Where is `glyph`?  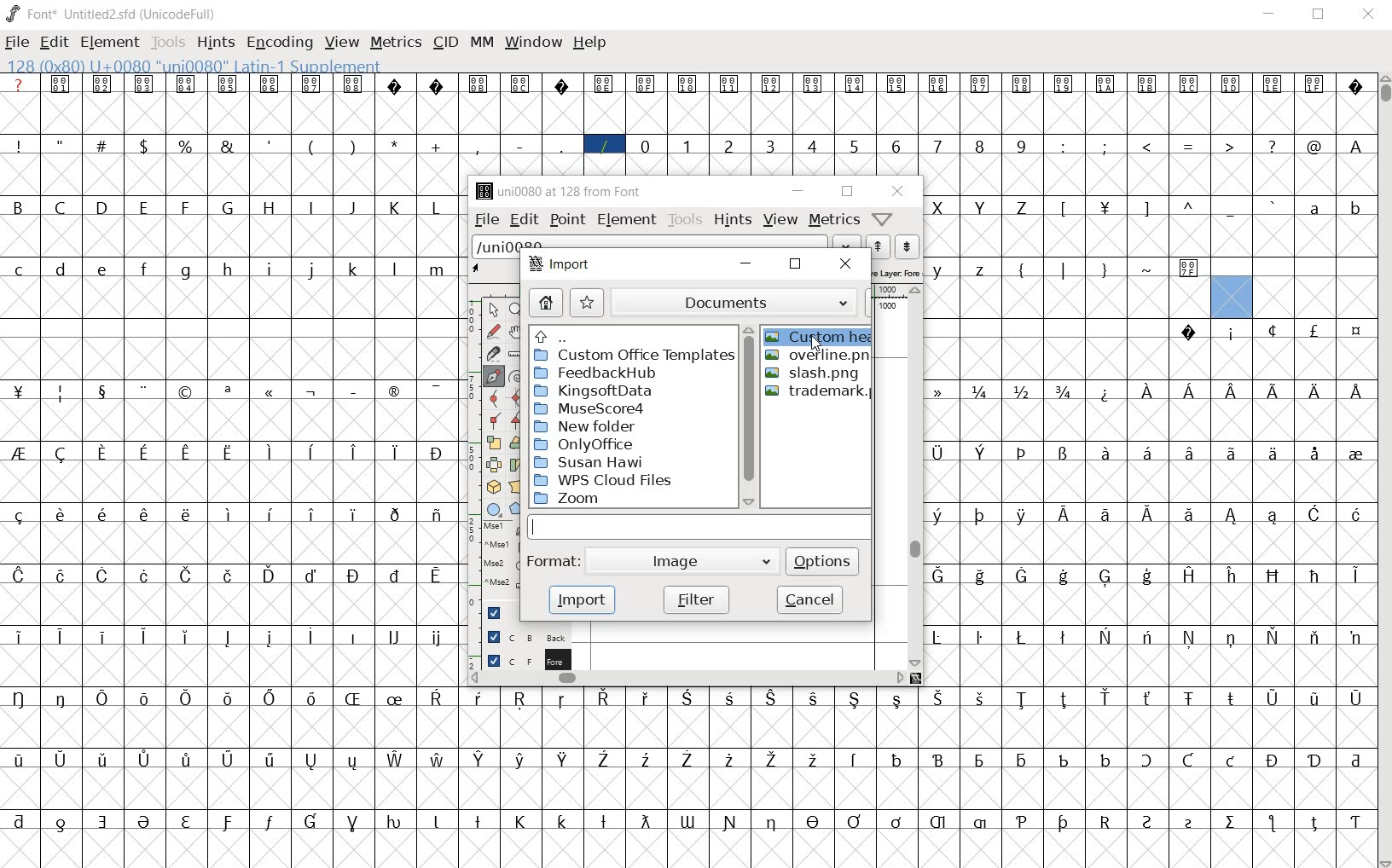 glyph is located at coordinates (395, 453).